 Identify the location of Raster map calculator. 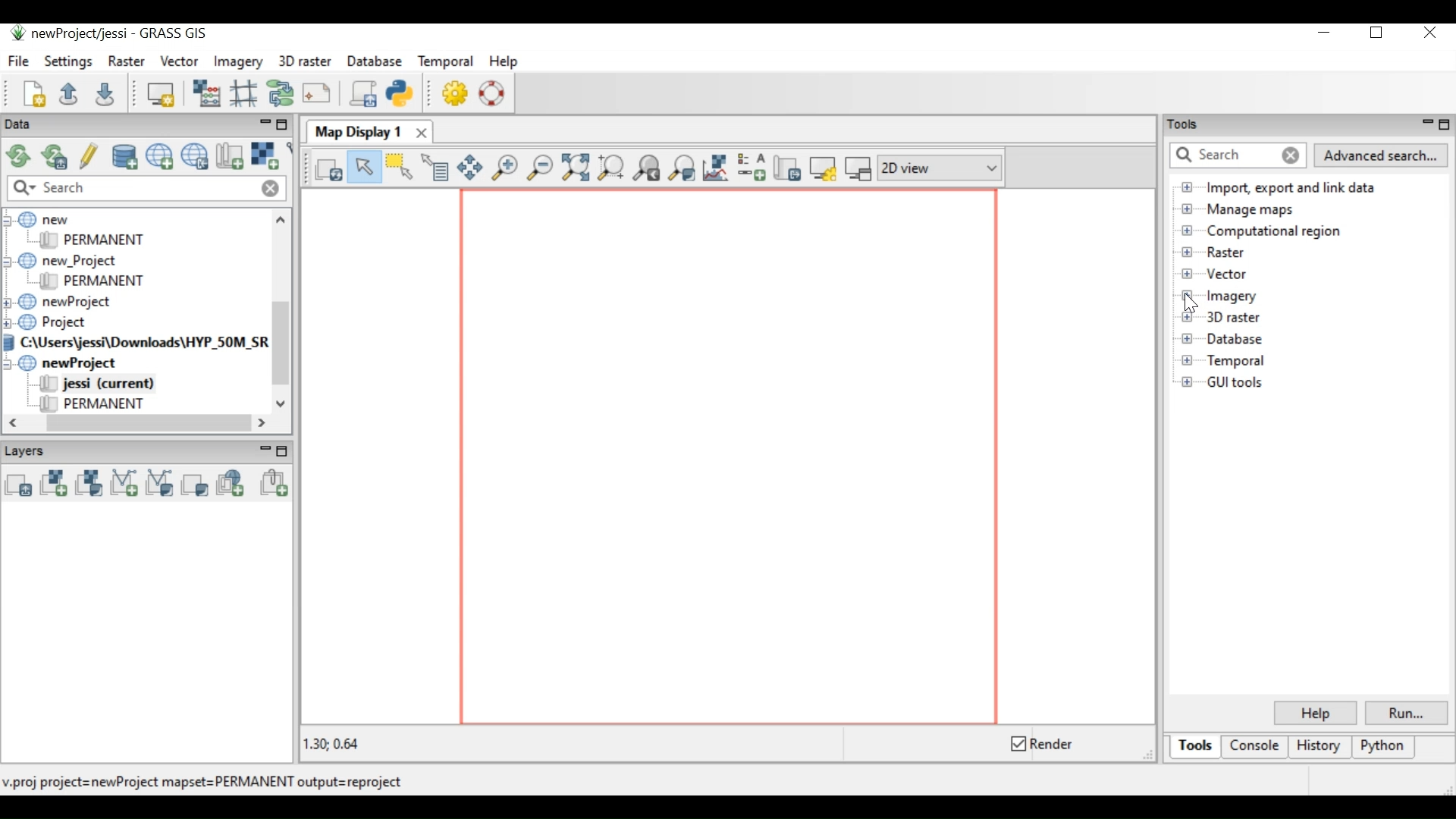
(206, 93).